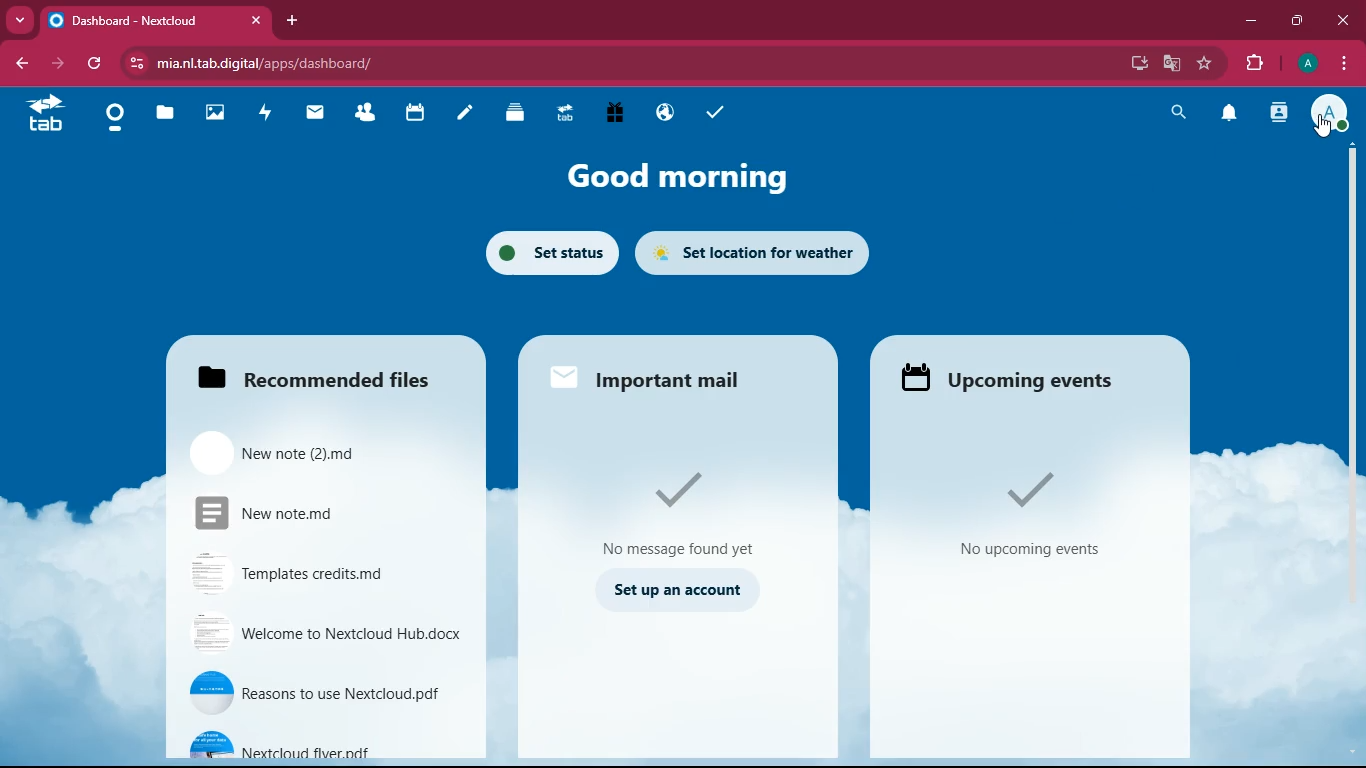 This screenshot has width=1366, height=768. Describe the element at coordinates (1348, 377) in the screenshot. I see `Vertical scrollbar` at that location.